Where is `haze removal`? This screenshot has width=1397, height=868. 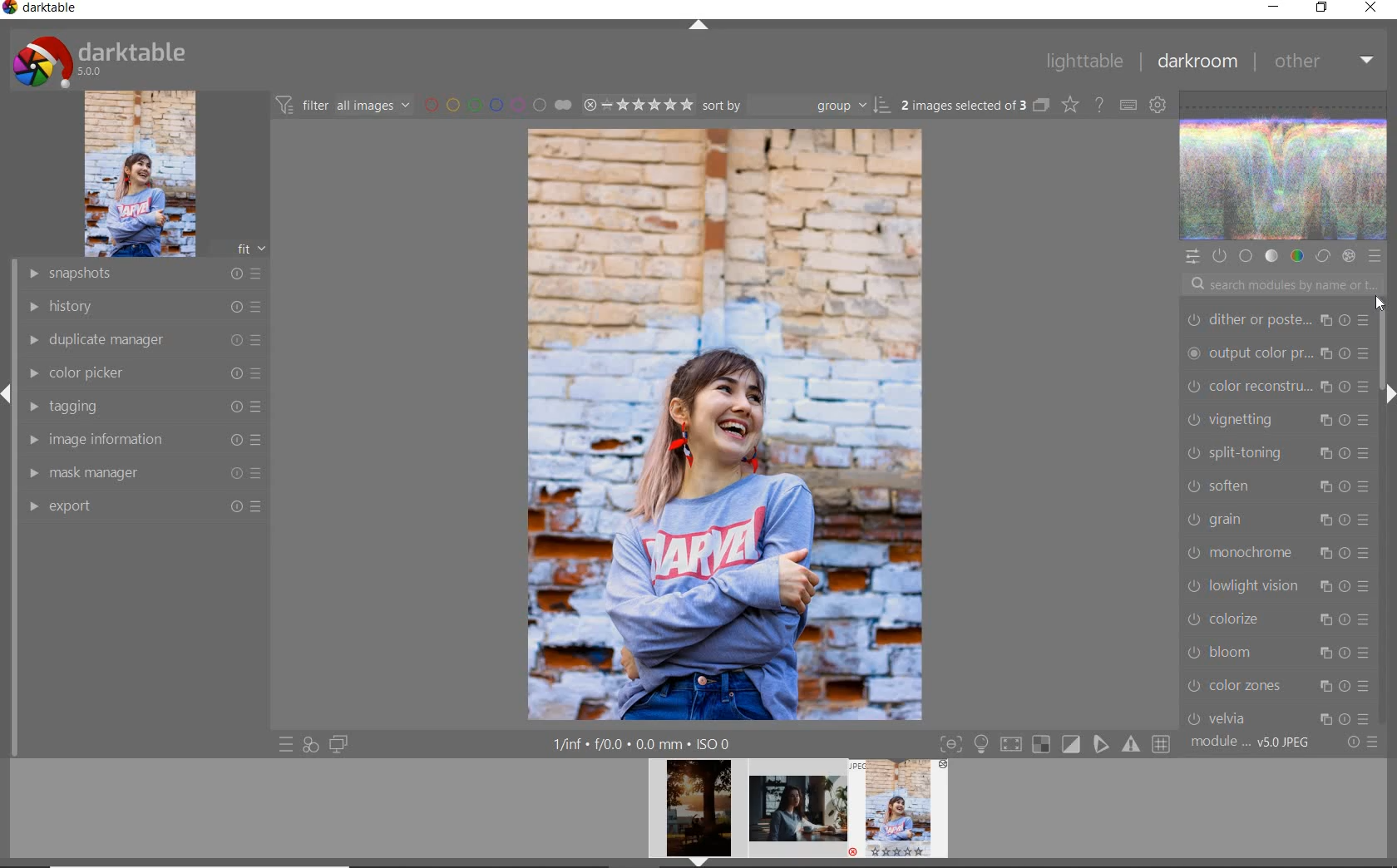 haze removal is located at coordinates (1276, 649).